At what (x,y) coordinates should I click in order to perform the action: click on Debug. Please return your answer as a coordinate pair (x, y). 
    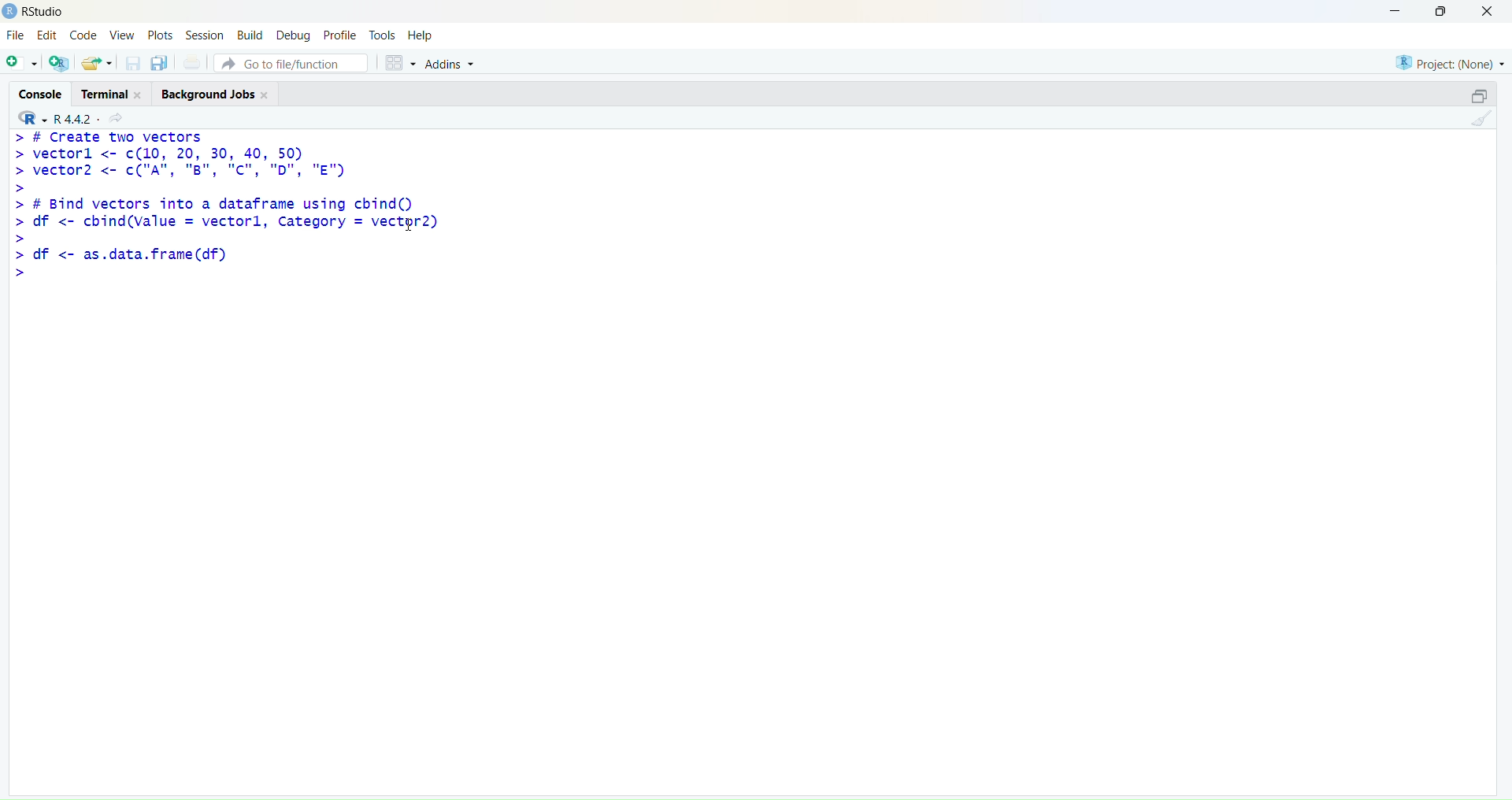
    Looking at the image, I should click on (295, 35).